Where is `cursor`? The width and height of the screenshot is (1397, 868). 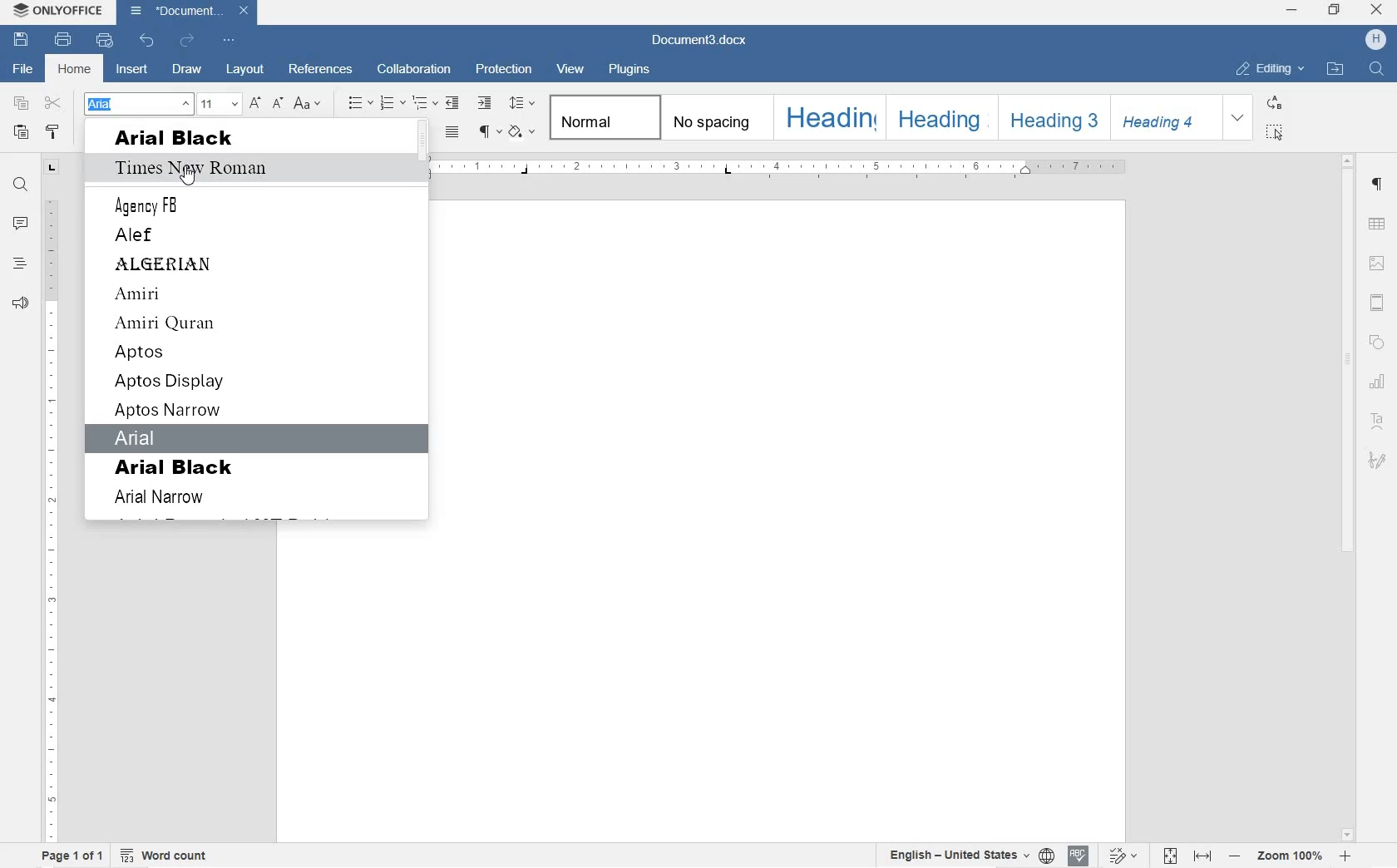
cursor is located at coordinates (189, 175).